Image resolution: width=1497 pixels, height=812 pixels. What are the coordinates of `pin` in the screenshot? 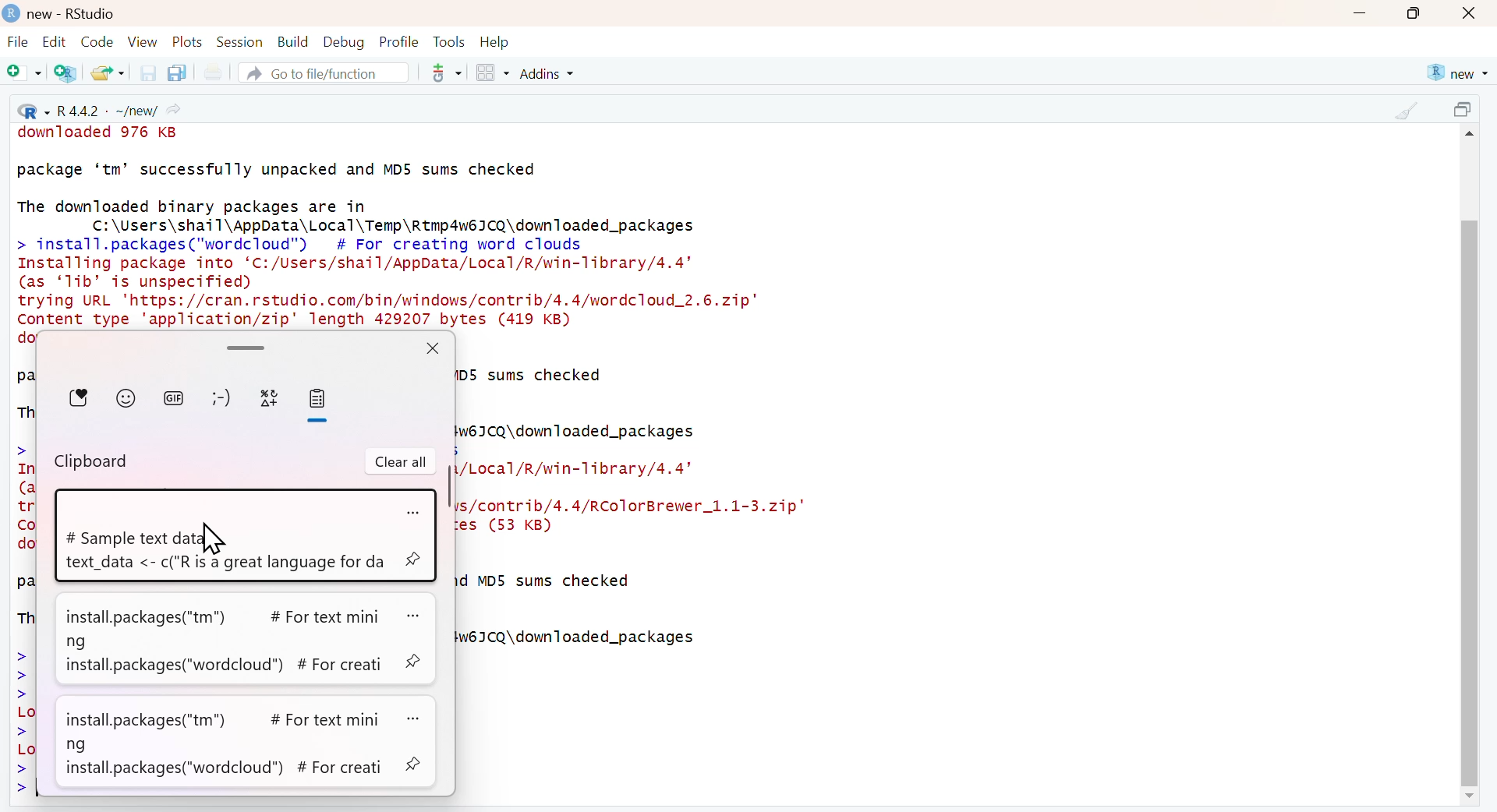 It's located at (416, 560).